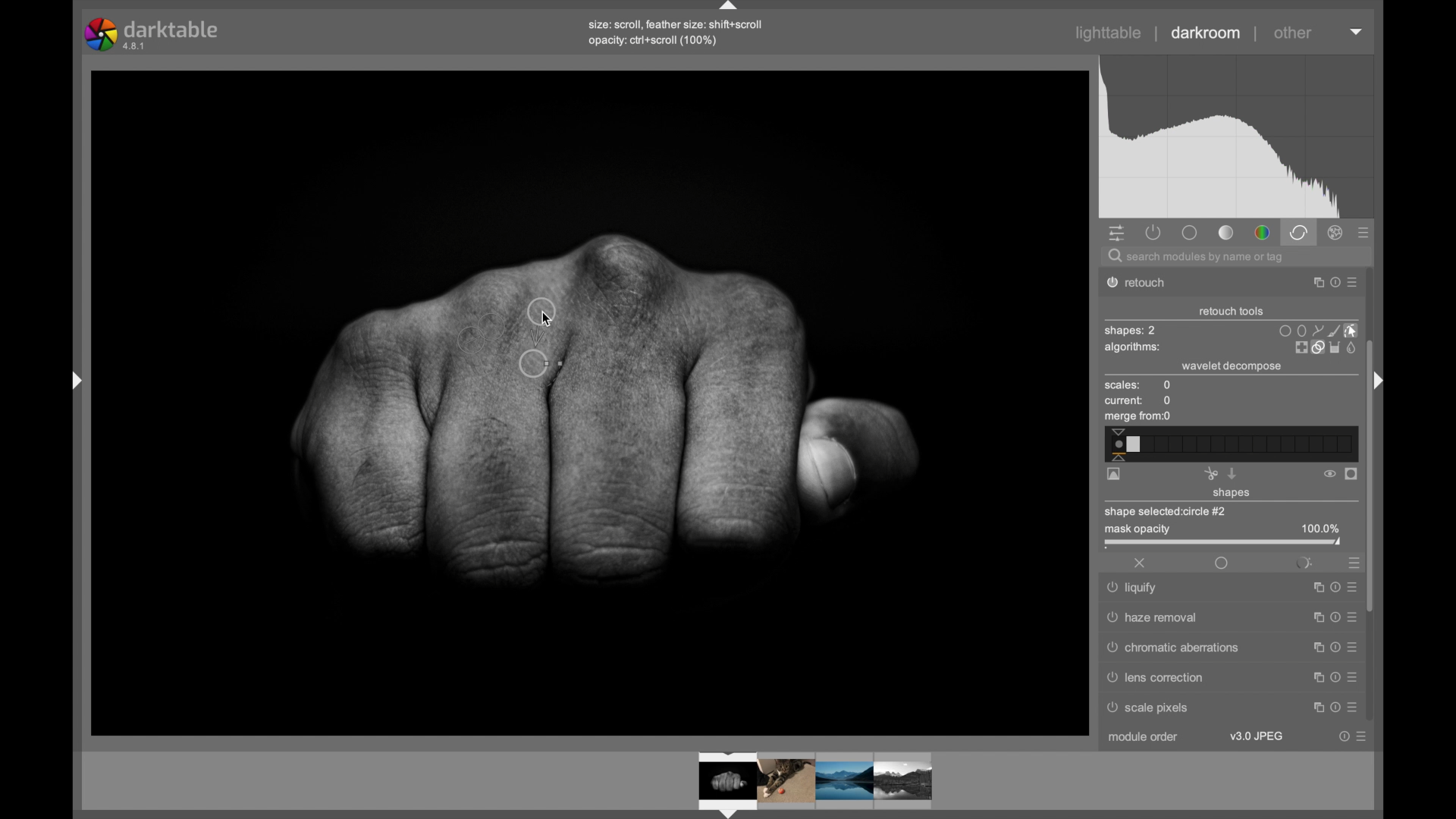 The height and width of the screenshot is (819, 1456). Describe the element at coordinates (1332, 676) in the screenshot. I see `help` at that location.